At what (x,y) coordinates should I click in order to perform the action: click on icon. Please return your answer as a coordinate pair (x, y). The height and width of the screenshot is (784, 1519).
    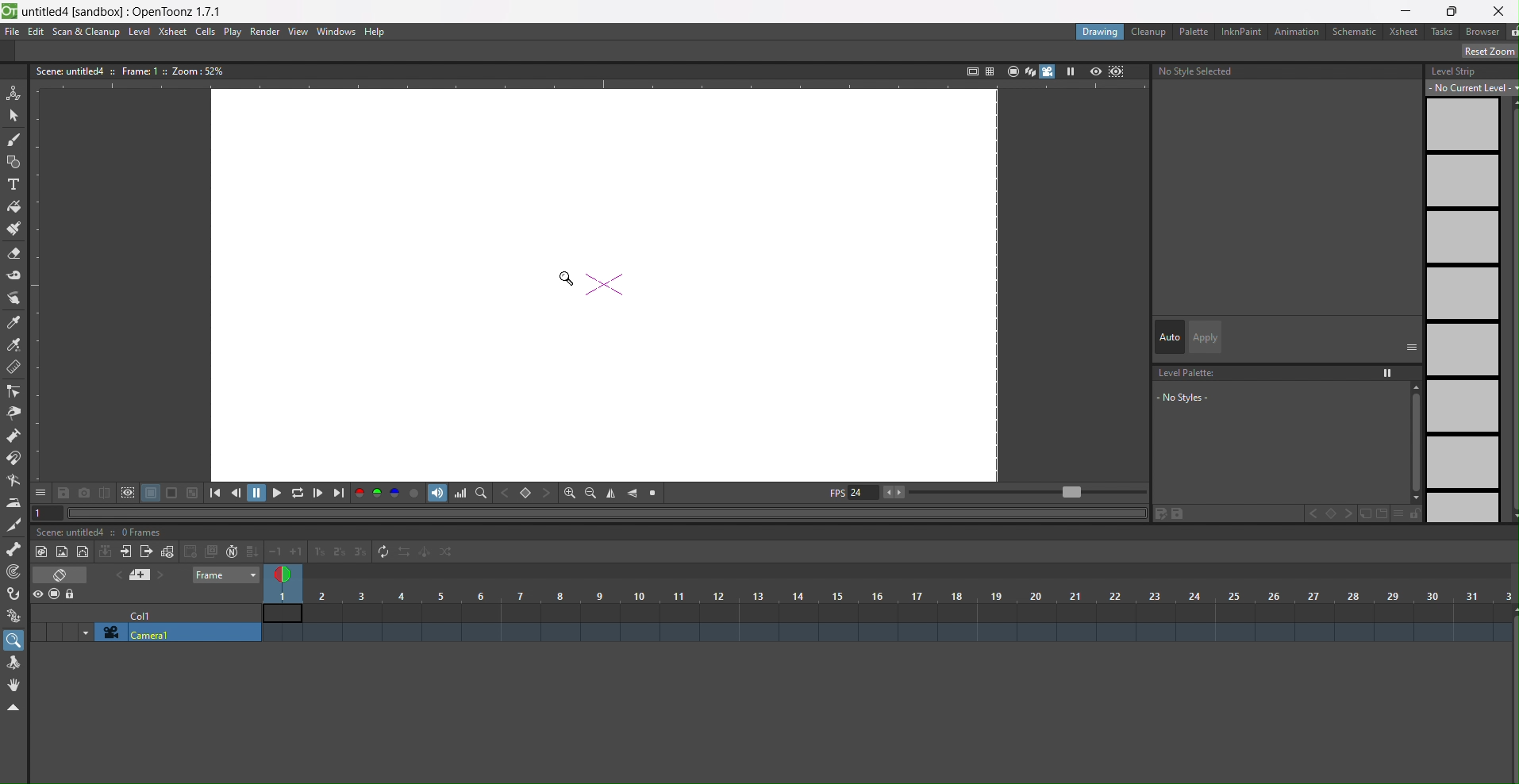
    Looking at the image, I should click on (1107, 71).